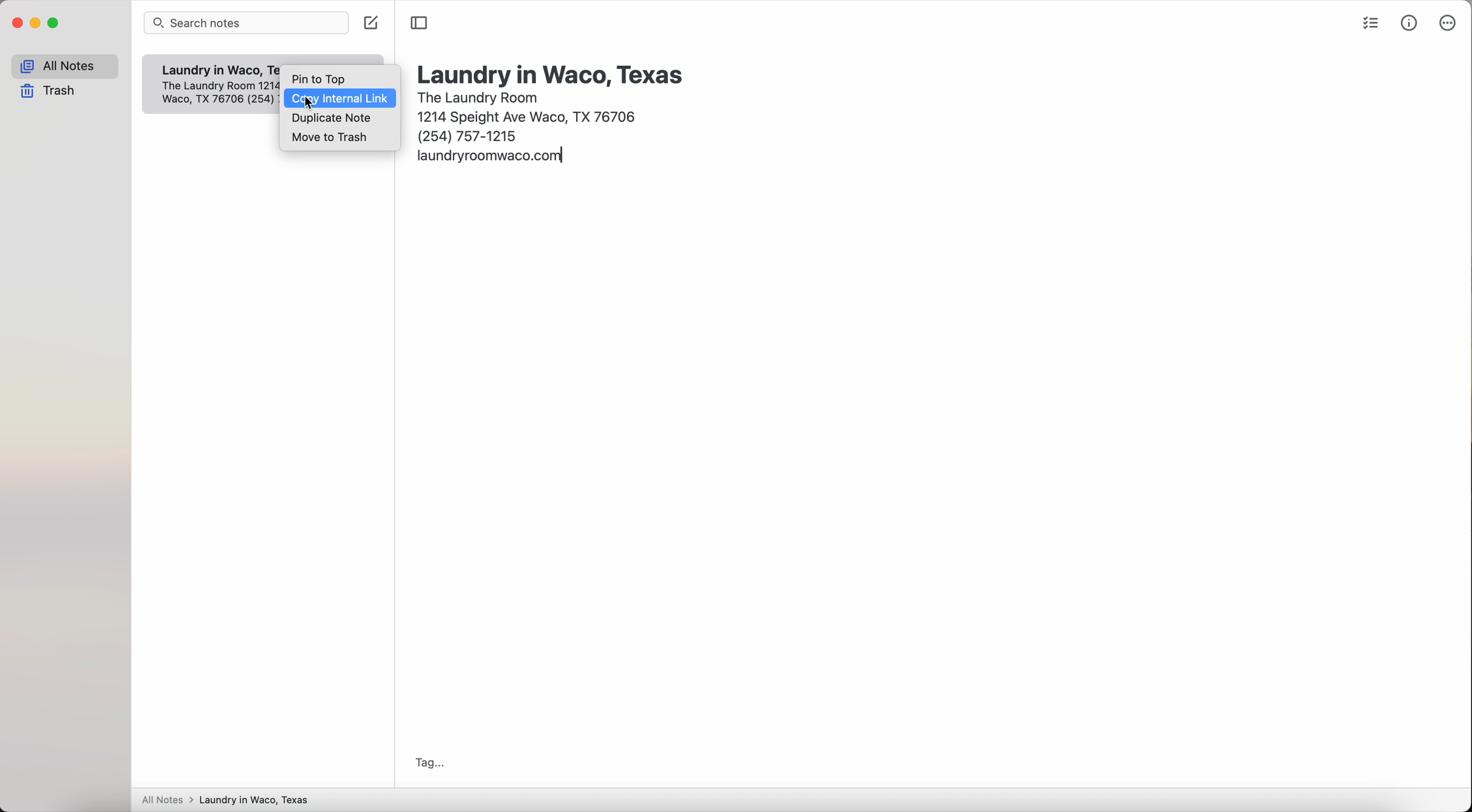 This screenshot has height=812, width=1472. Describe the element at coordinates (51, 92) in the screenshot. I see `trash` at that location.